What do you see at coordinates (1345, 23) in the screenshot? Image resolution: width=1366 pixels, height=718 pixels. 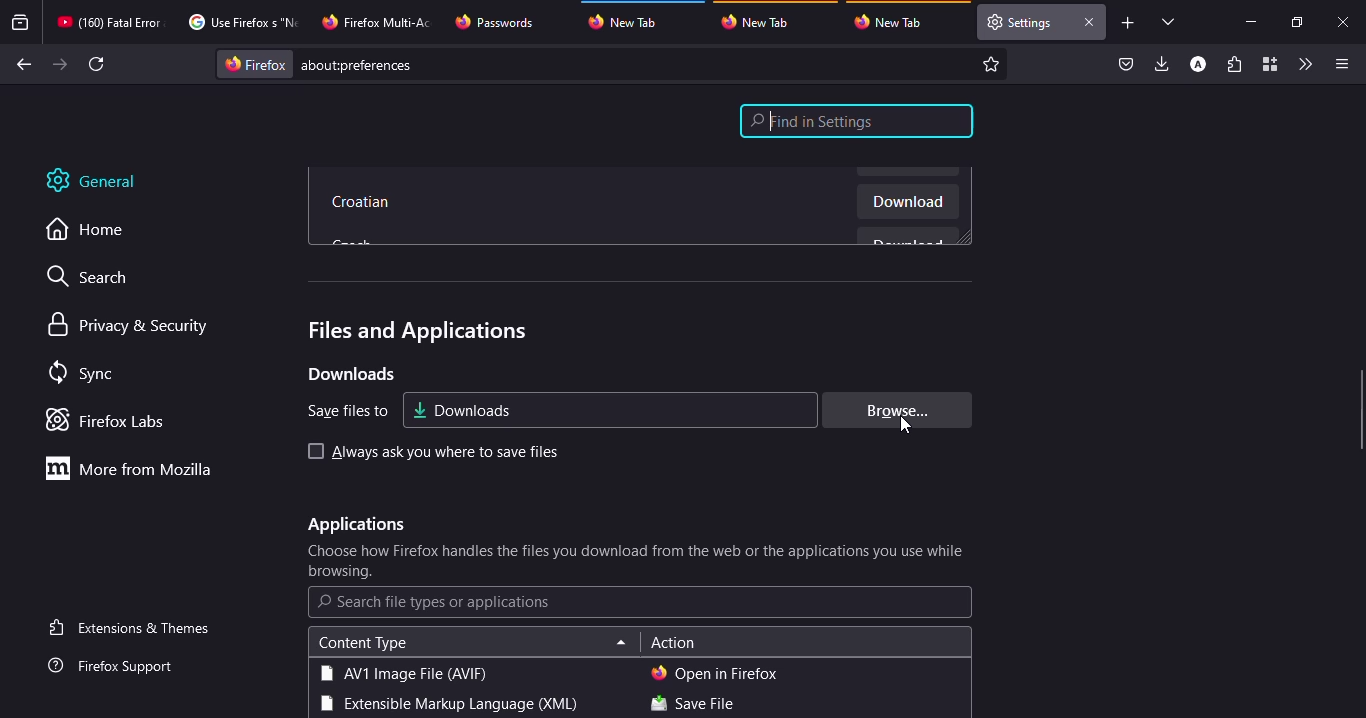 I see `close` at bounding box center [1345, 23].